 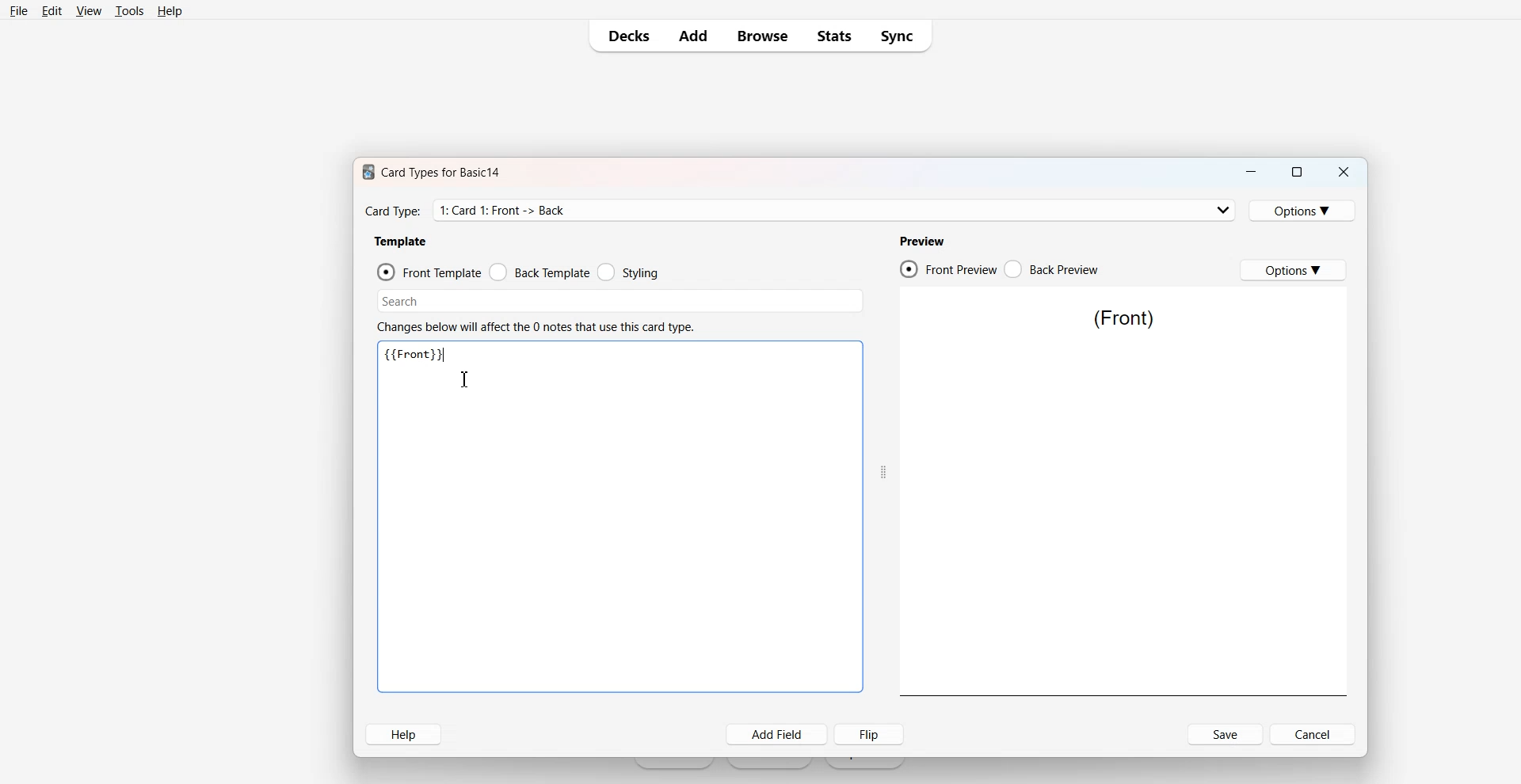 I want to click on Options, so click(x=1302, y=211).